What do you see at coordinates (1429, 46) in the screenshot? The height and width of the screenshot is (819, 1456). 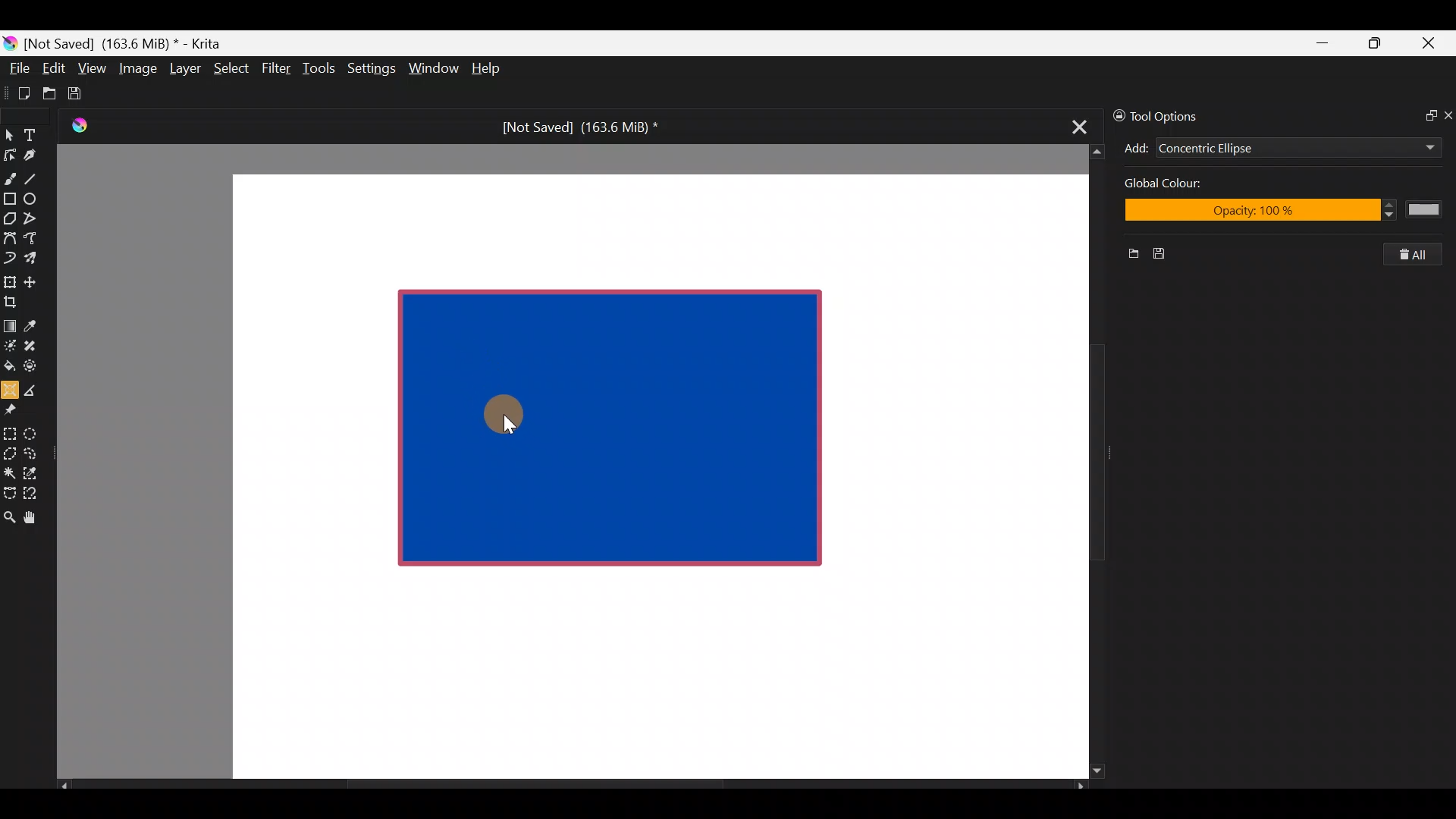 I see `Close` at bounding box center [1429, 46].